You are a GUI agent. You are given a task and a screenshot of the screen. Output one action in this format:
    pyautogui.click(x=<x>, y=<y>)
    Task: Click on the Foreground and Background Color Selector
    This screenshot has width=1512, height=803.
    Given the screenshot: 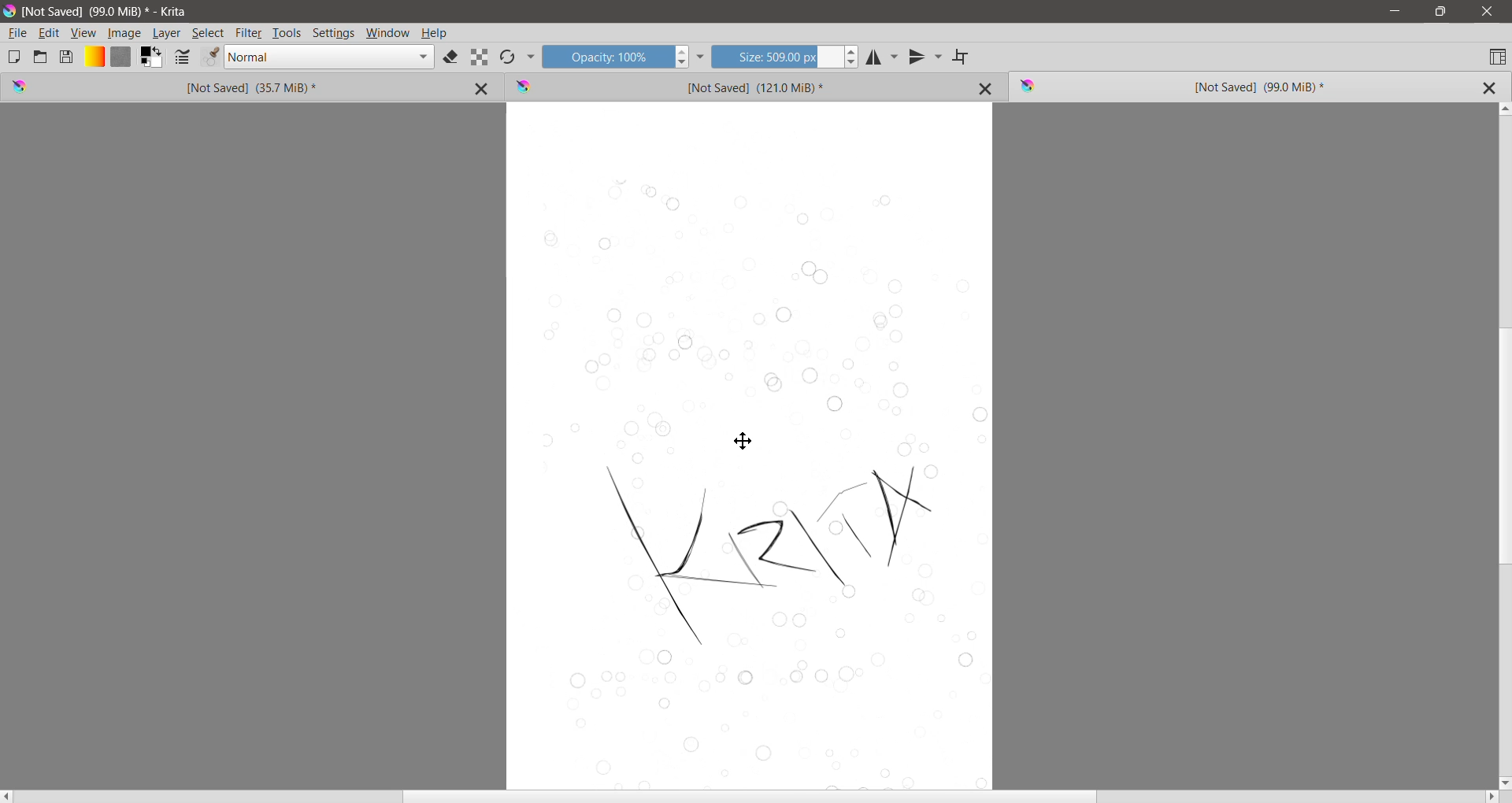 What is the action you would take?
    pyautogui.click(x=152, y=57)
    